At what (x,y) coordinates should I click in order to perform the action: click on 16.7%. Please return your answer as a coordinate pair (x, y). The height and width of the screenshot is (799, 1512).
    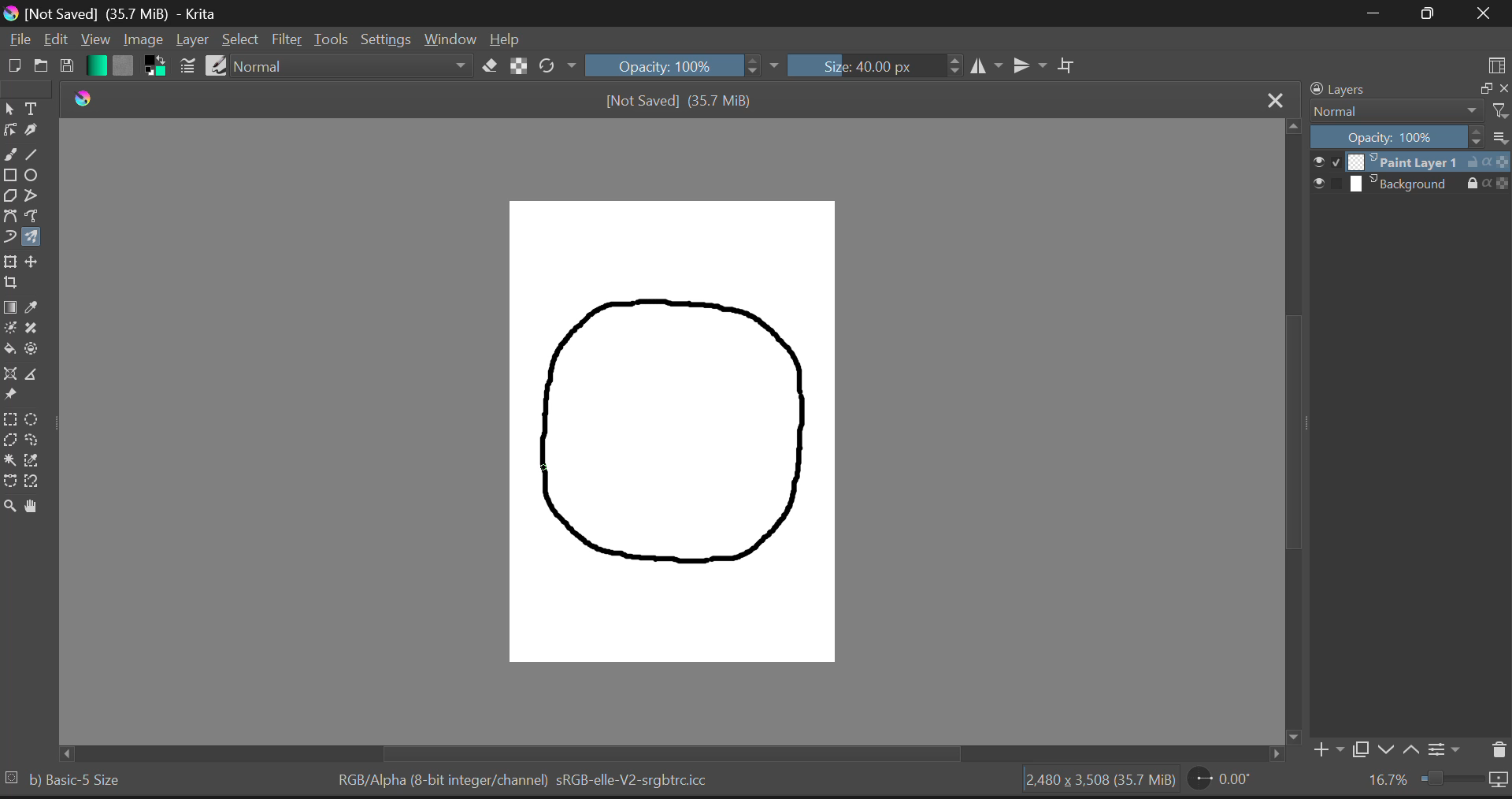
    Looking at the image, I should click on (1432, 783).